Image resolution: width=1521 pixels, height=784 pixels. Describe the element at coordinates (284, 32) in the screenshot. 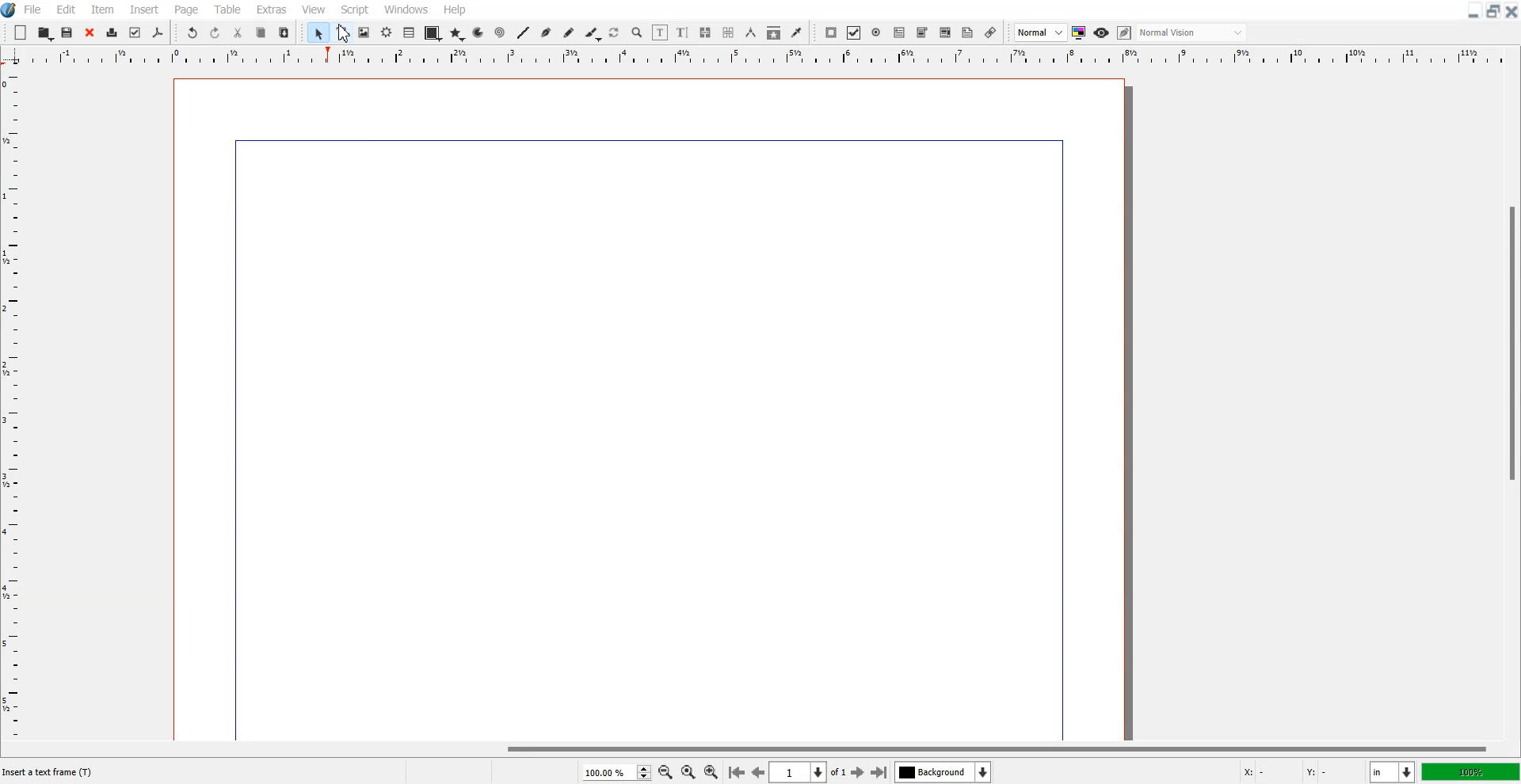

I see `Paste` at that location.